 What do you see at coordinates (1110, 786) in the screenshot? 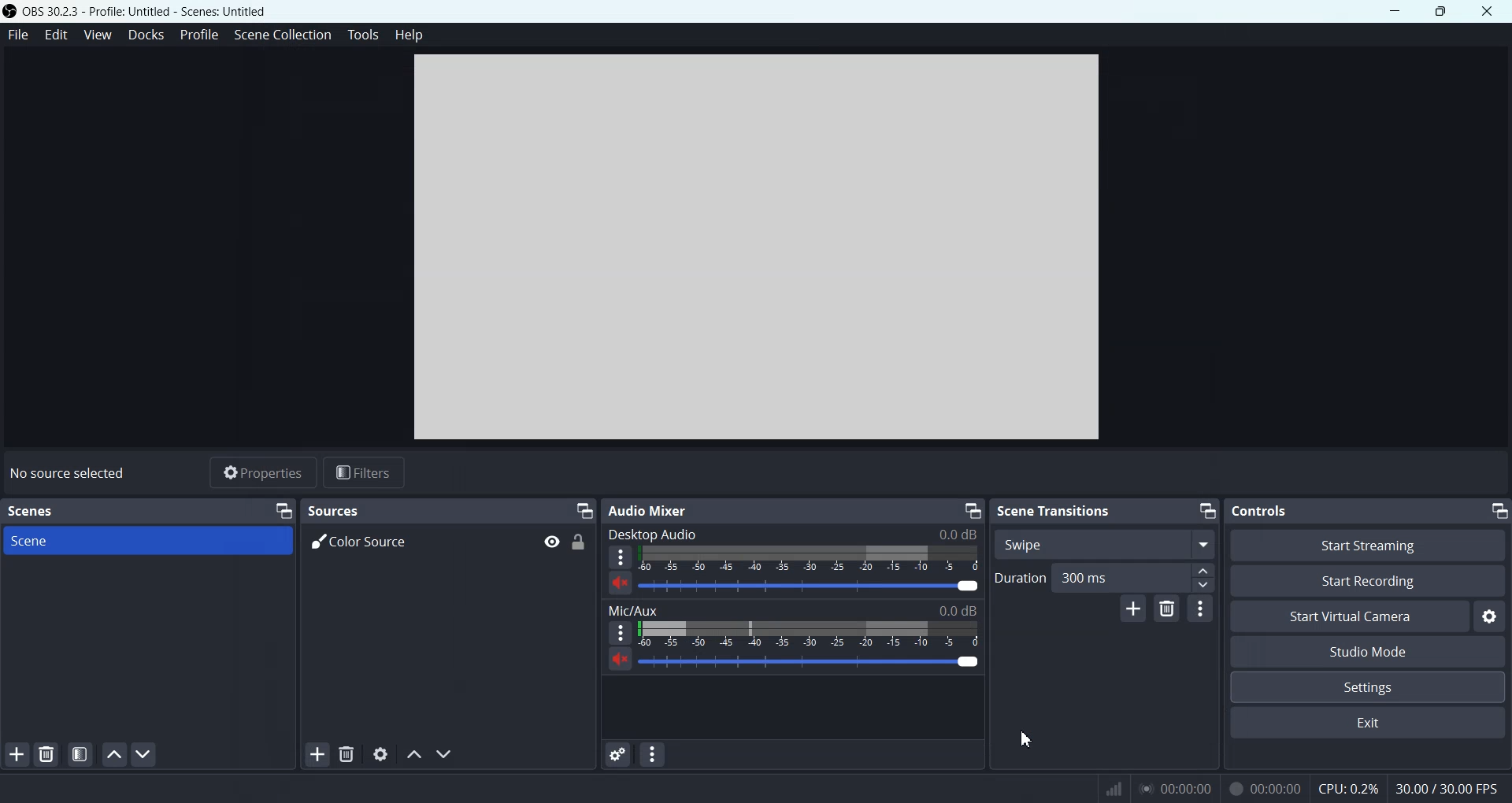
I see `network` at bounding box center [1110, 786].